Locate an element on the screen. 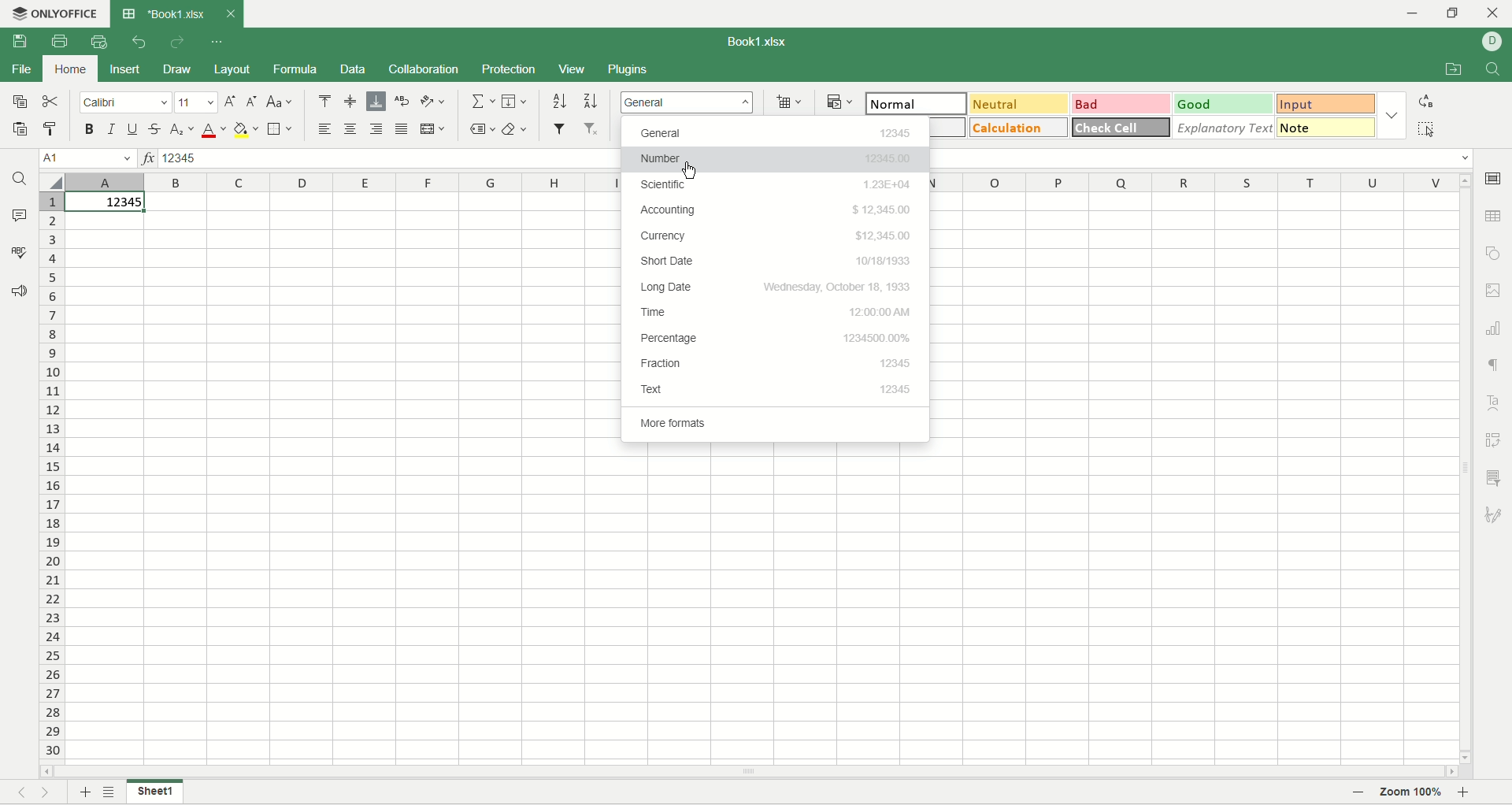 This screenshot has width=1512, height=805. protection is located at coordinates (507, 69).